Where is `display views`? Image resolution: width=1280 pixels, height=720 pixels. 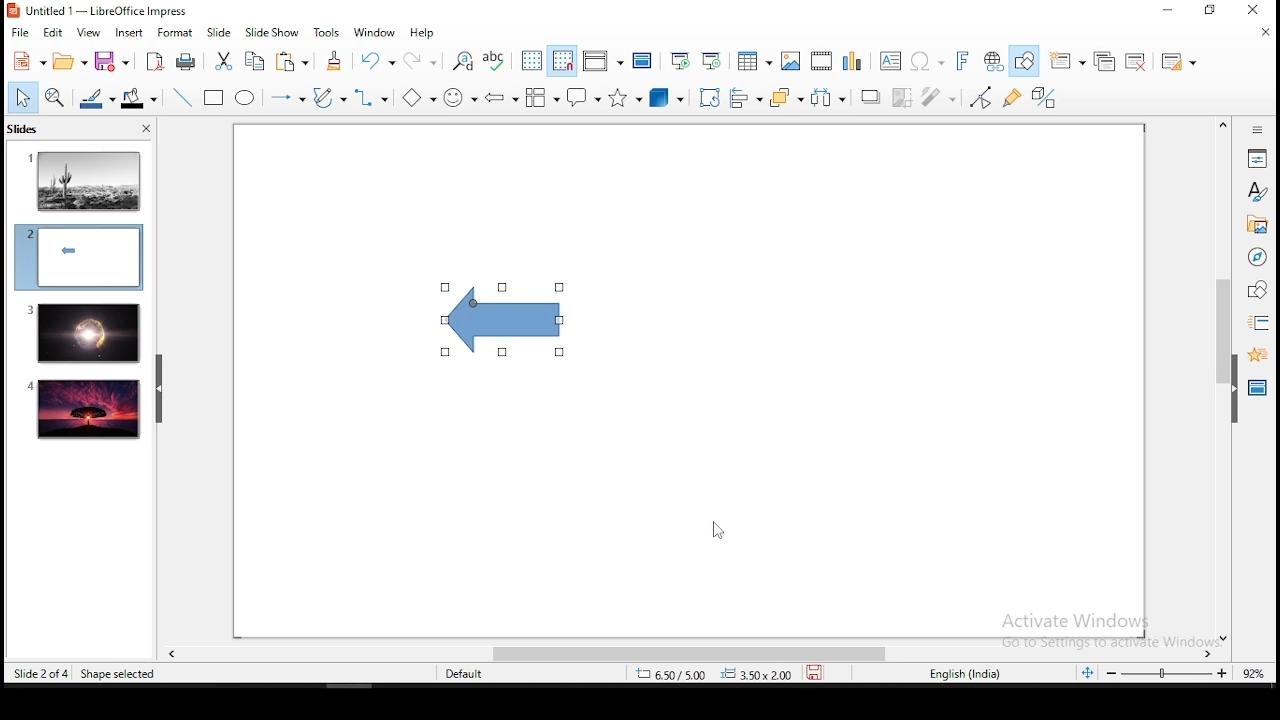 display views is located at coordinates (602, 61).